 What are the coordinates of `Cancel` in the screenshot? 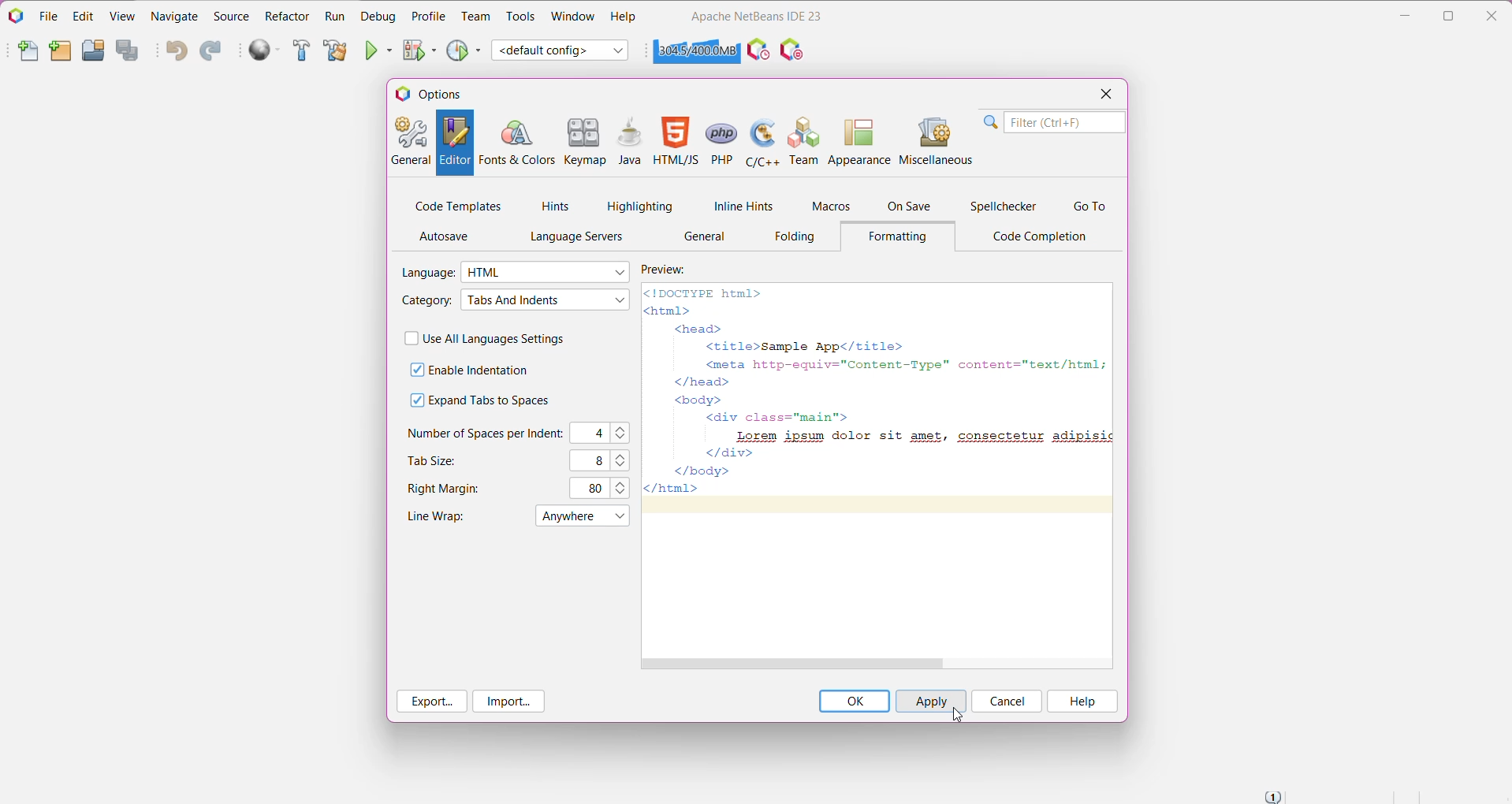 It's located at (1006, 702).